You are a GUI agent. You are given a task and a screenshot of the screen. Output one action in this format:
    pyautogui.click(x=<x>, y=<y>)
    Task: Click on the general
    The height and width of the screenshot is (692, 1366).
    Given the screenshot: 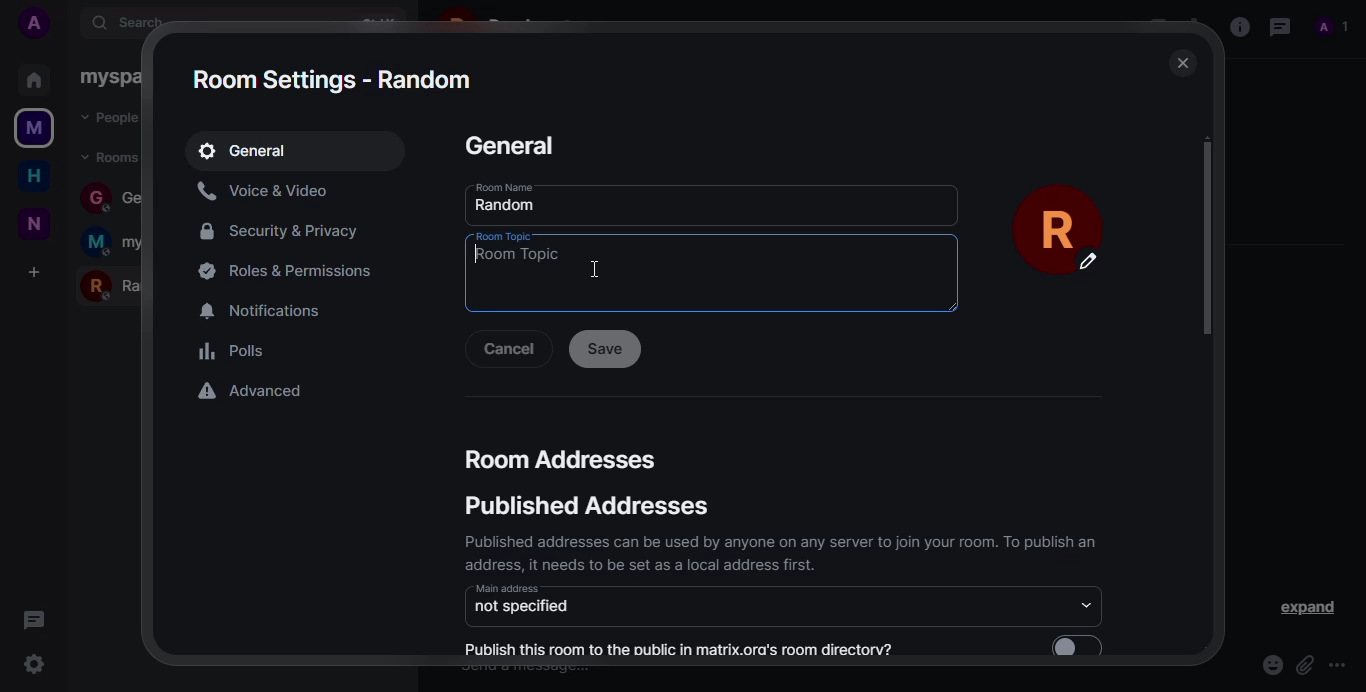 What is the action you would take?
    pyautogui.click(x=512, y=145)
    